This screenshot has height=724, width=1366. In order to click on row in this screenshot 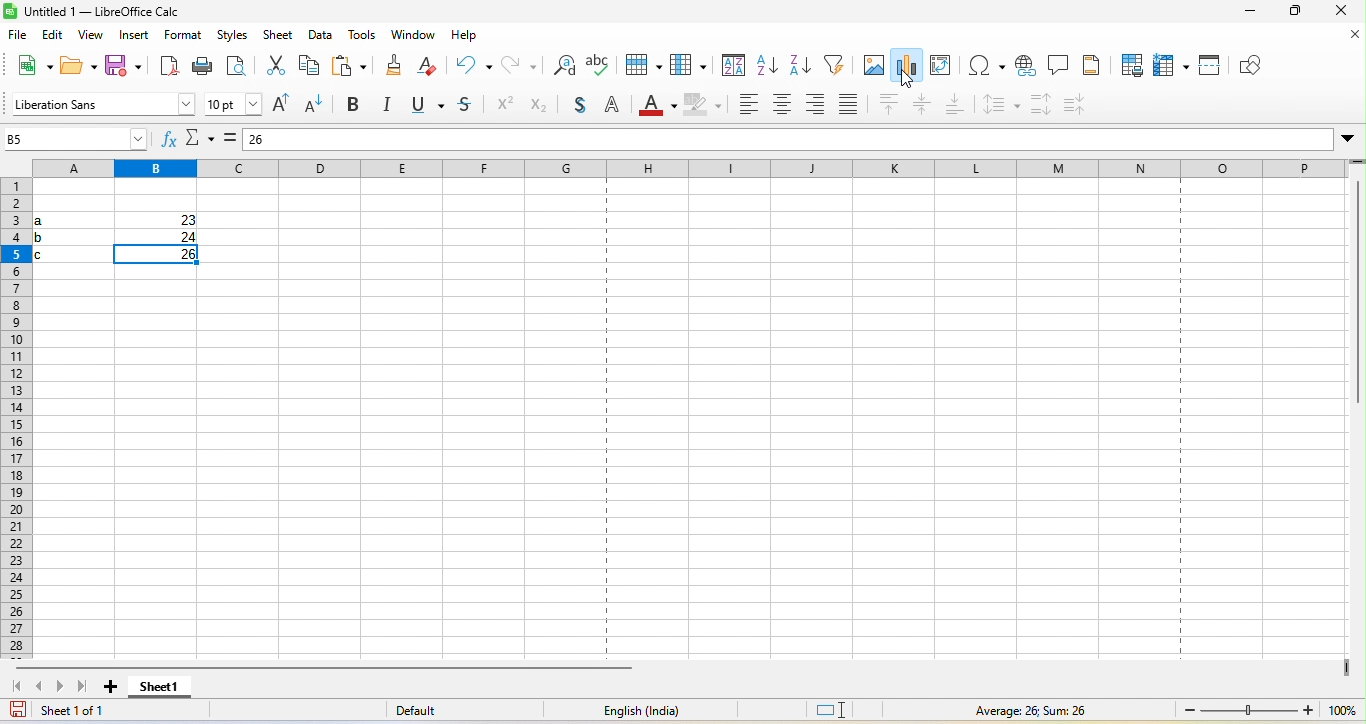, I will do `click(641, 64)`.